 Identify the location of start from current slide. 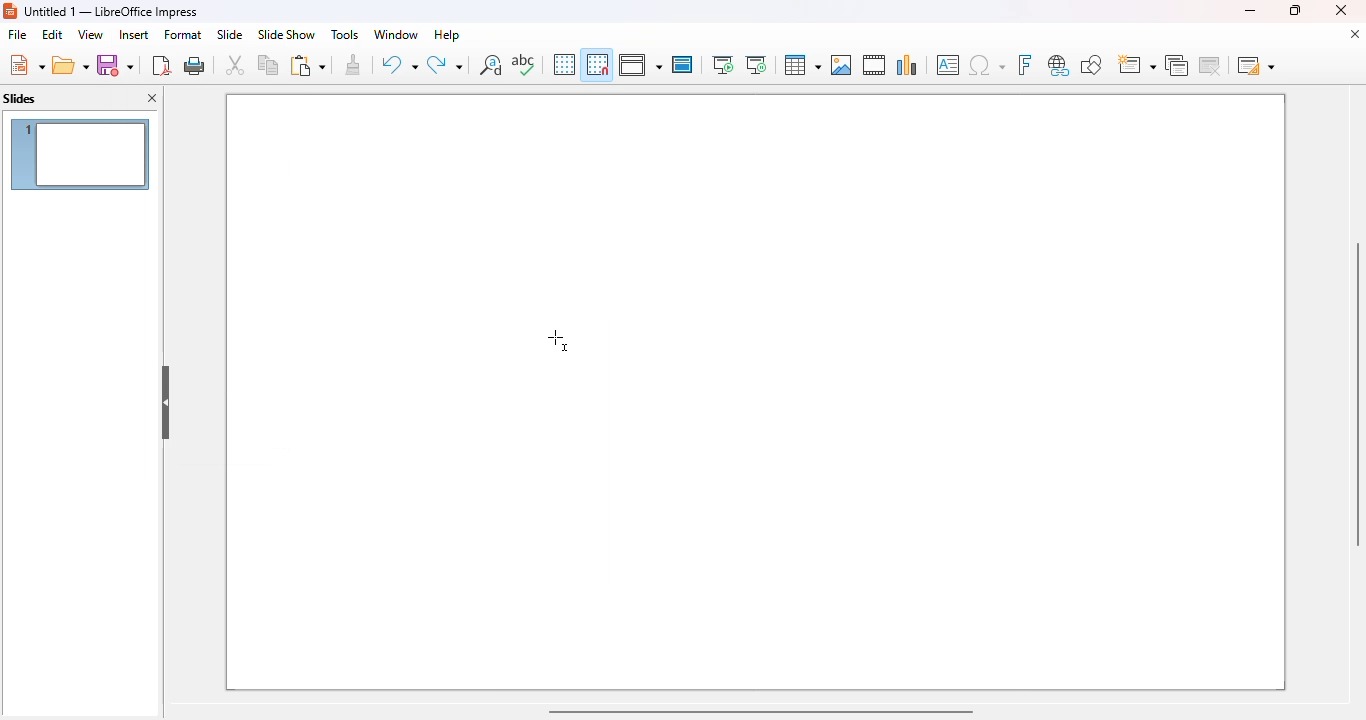
(756, 65).